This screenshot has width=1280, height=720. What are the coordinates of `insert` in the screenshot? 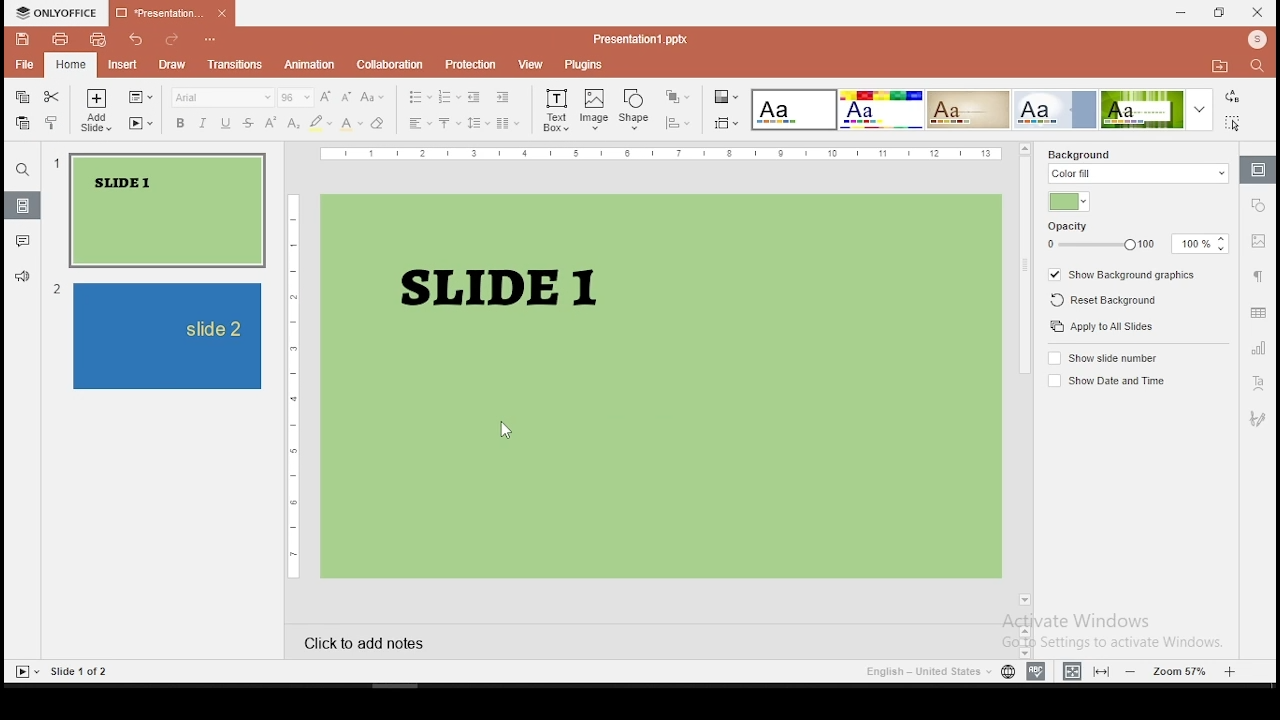 It's located at (123, 64).